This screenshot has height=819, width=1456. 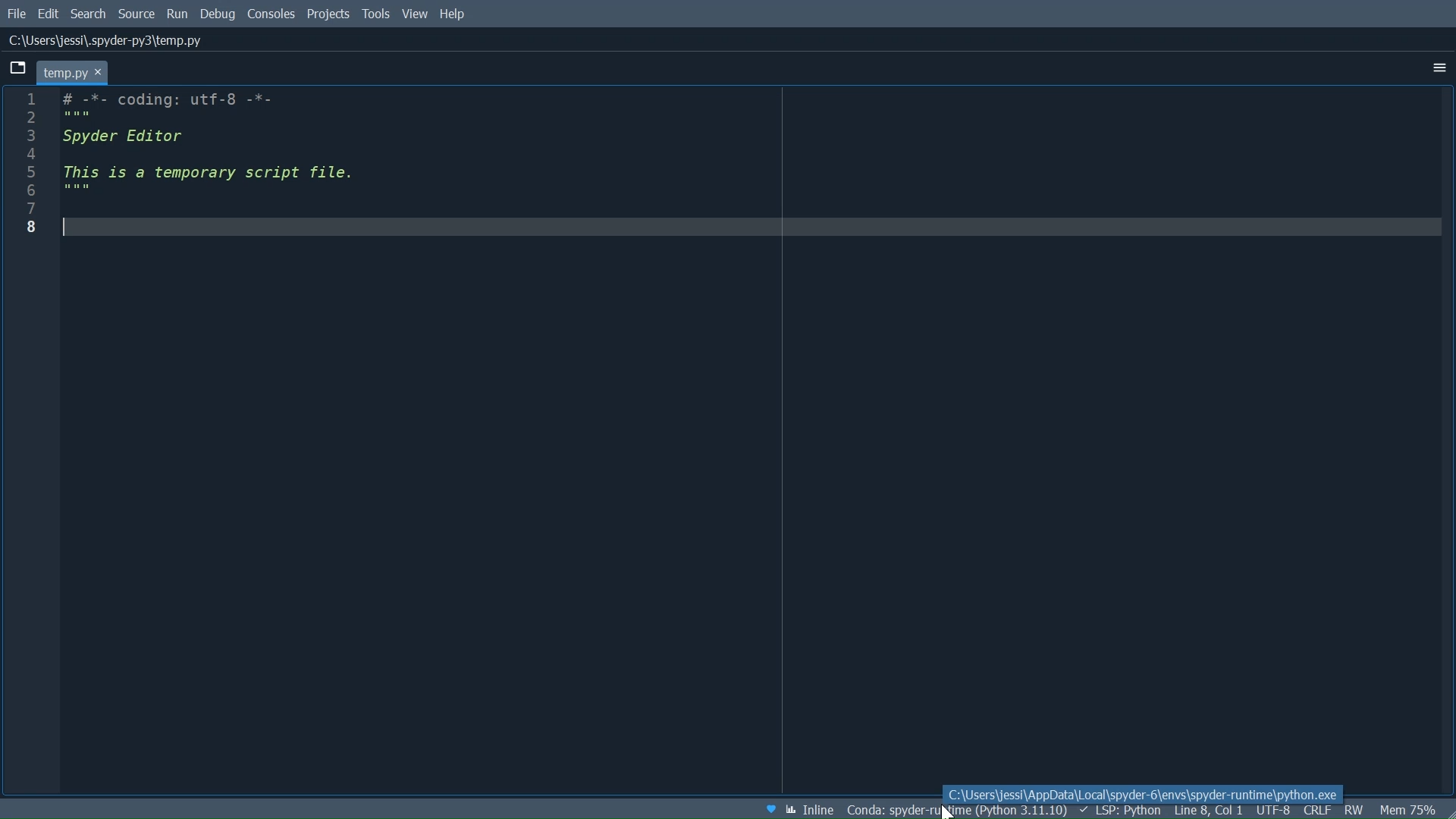 What do you see at coordinates (957, 811) in the screenshot?
I see `Conda Environment Indicator` at bounding box center [957, 811].